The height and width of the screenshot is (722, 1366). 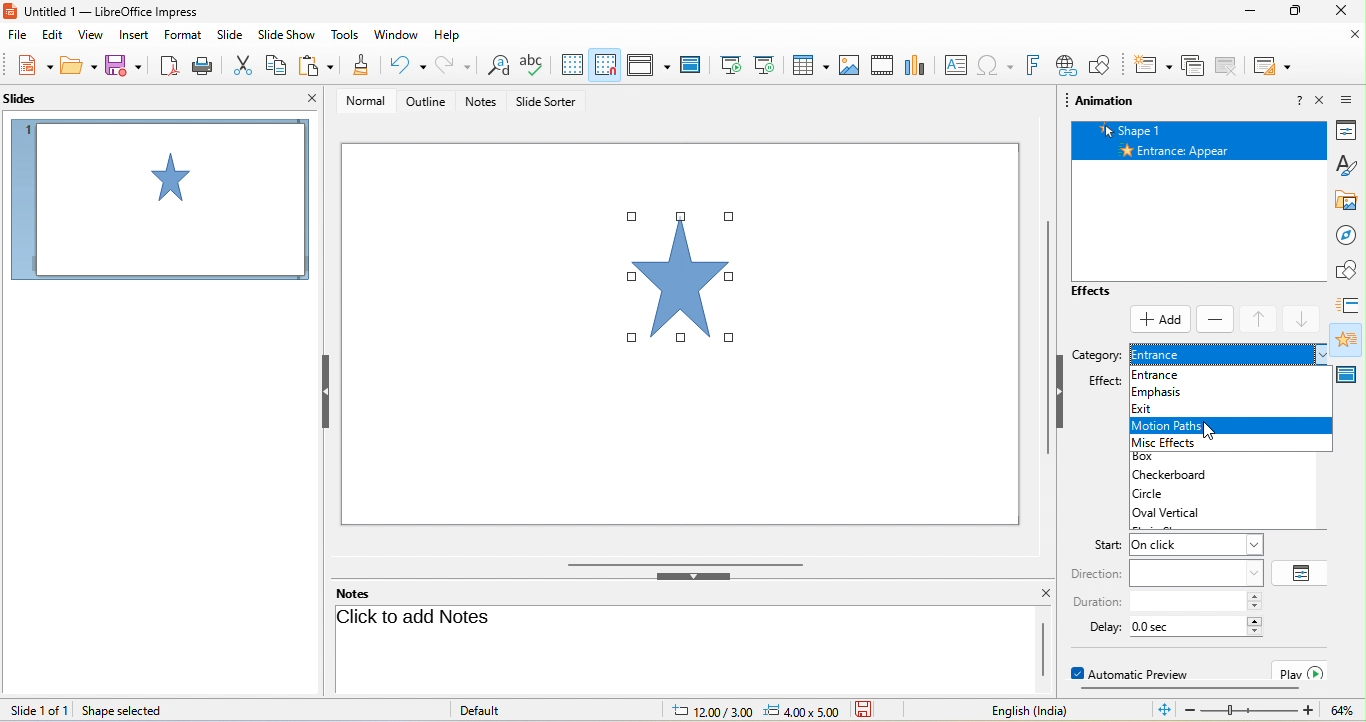 What do you see at coordinates (1253, 10) in the screenshot?
I see `minimize` at bounding box center [1253, 10].